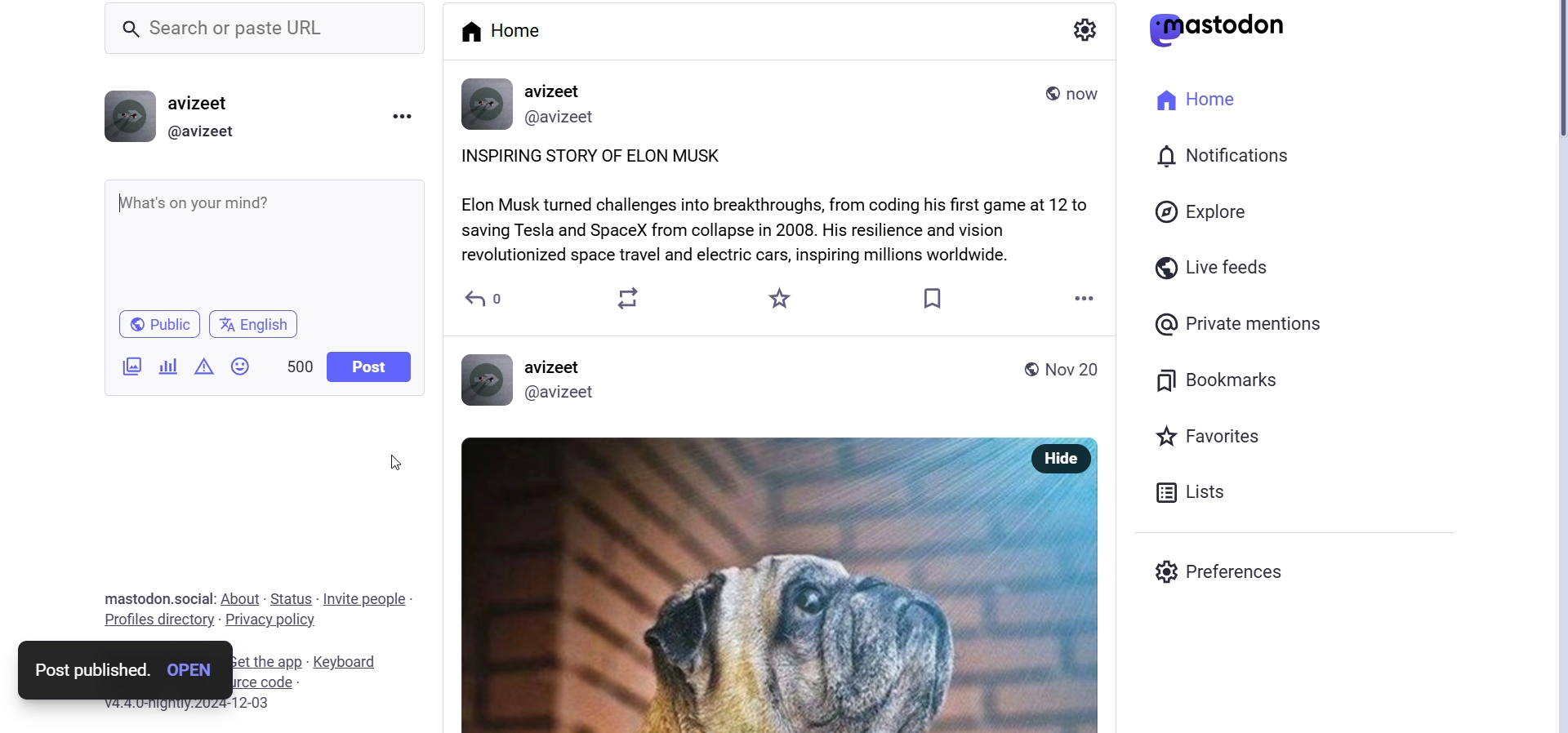 Image resolution: width=1568 pixels, height=733 pixels. I want to click on reply, so click(484, 300).